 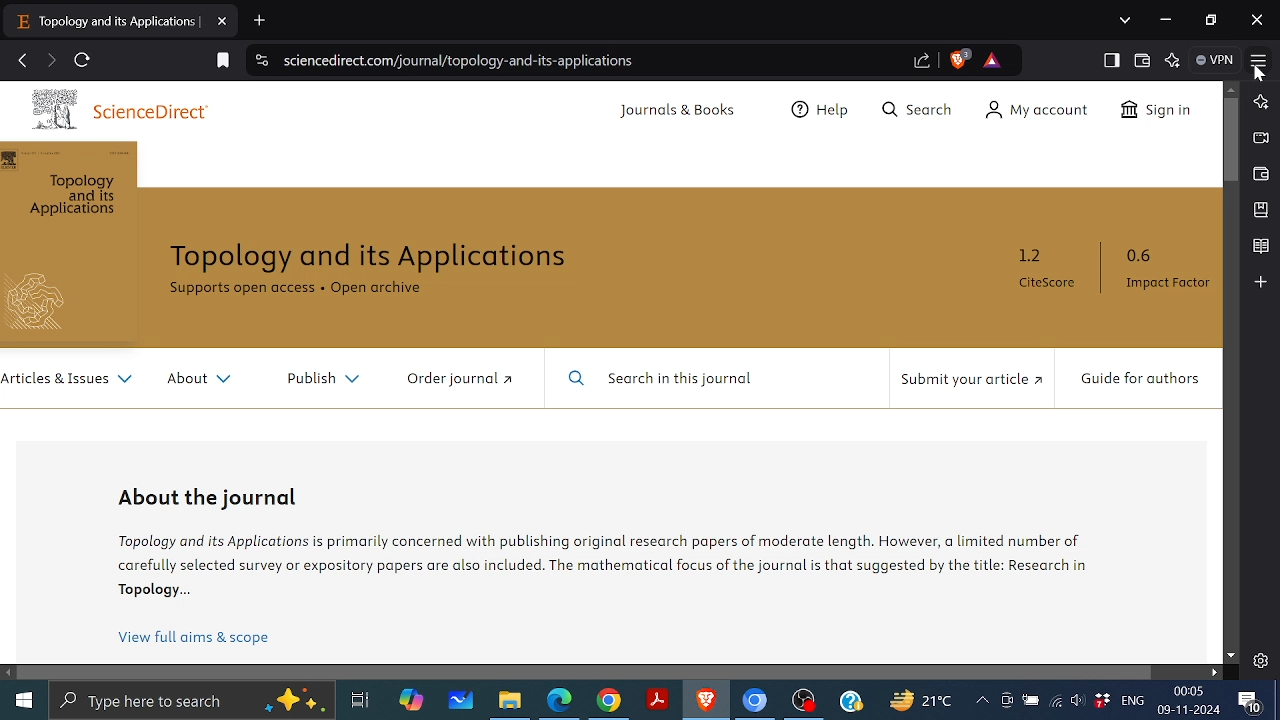 What do you see at coordinates (461, 699) in the screenshot?
I see `white board` at bounding box center [461, 699].